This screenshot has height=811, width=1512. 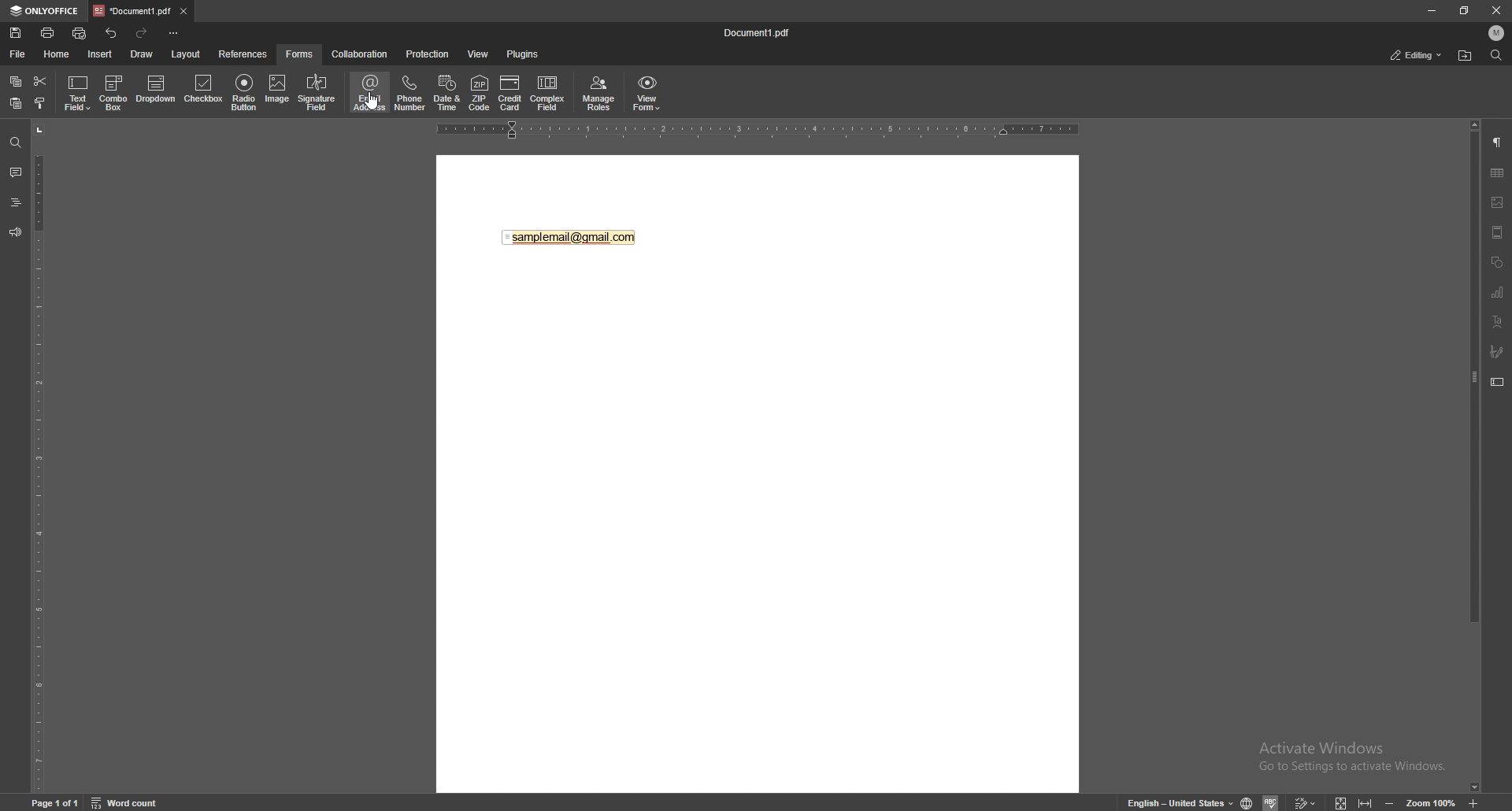 What do you see at coordinates (1497, 173) in the screenshot?
I see `table` at bounding box center [1497, 173].